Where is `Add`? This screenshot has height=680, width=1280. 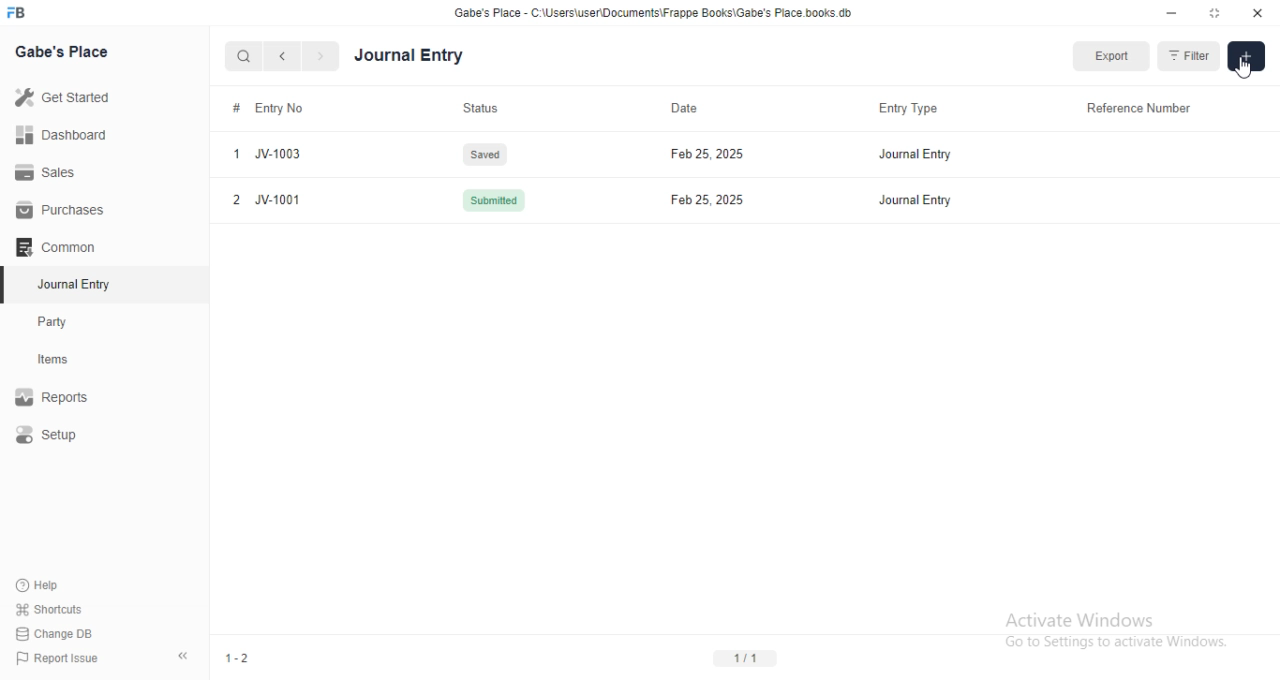 Add is located at coordinates (1245, 56).